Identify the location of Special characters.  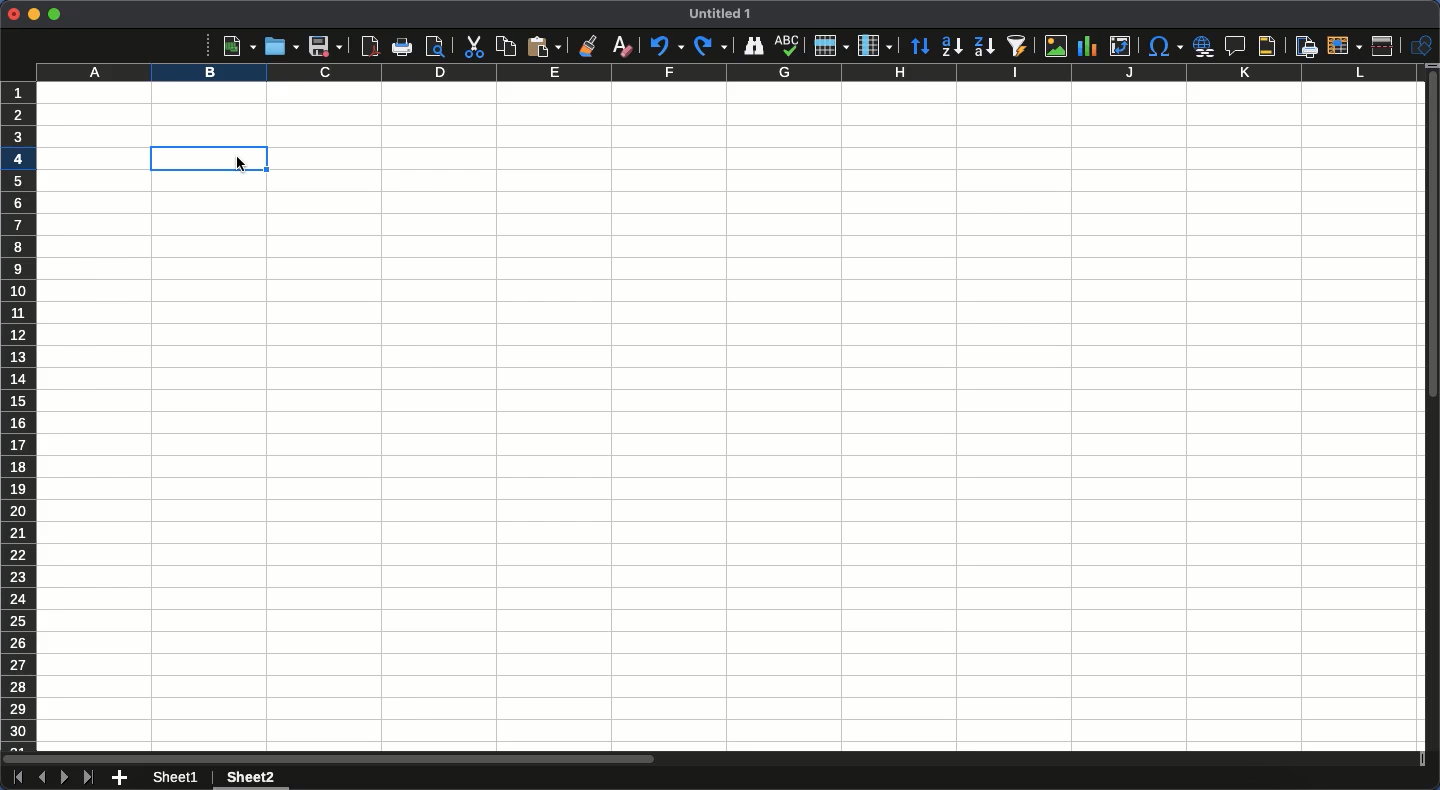
(1164, 46).